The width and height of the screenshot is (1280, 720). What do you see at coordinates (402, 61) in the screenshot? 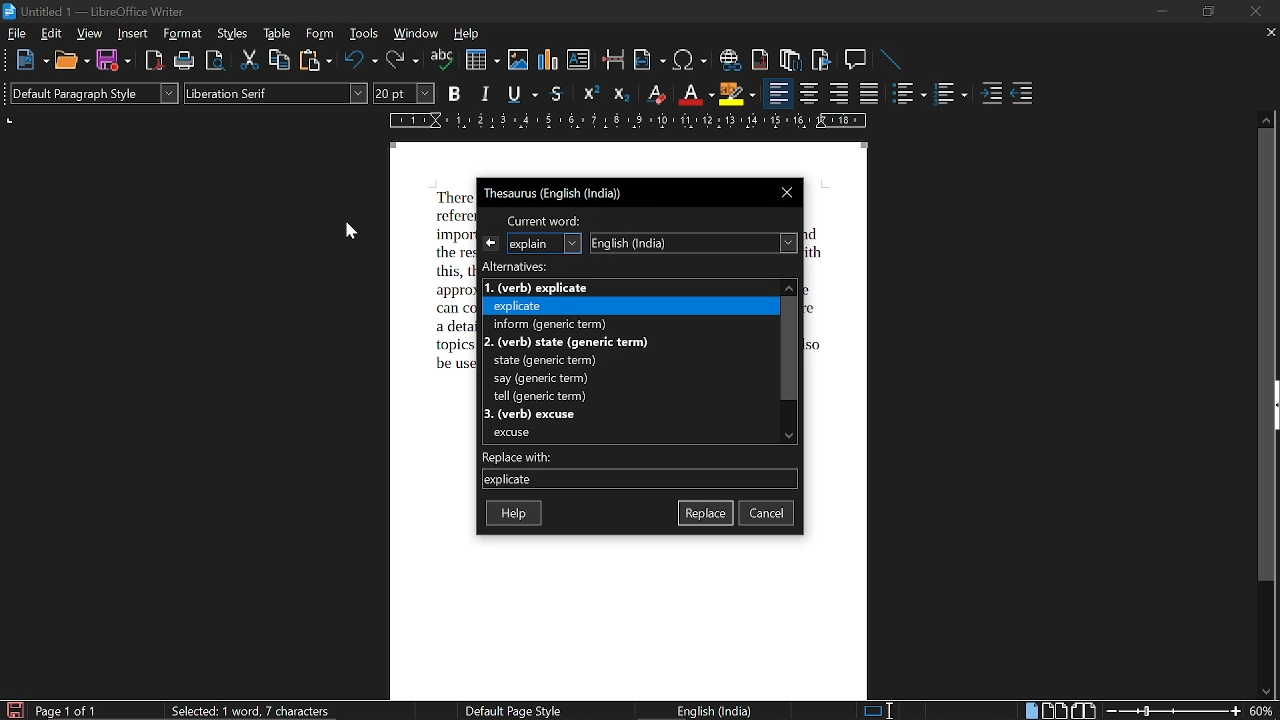
I see `redo` at bounding box center [402, 61].